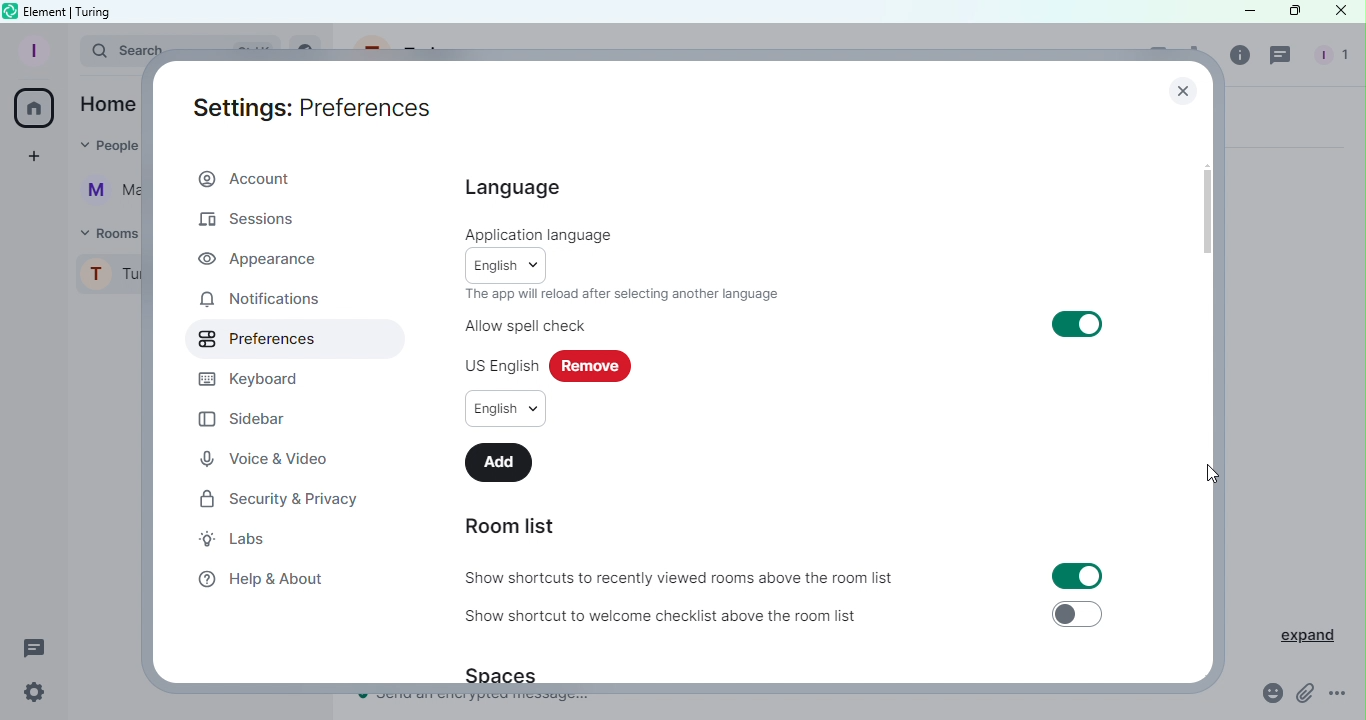 The width and height of the screenshot is (1366, 720). Describe the element at coordinates (506, 526) in the screenshot. I see `Room list` at that location.